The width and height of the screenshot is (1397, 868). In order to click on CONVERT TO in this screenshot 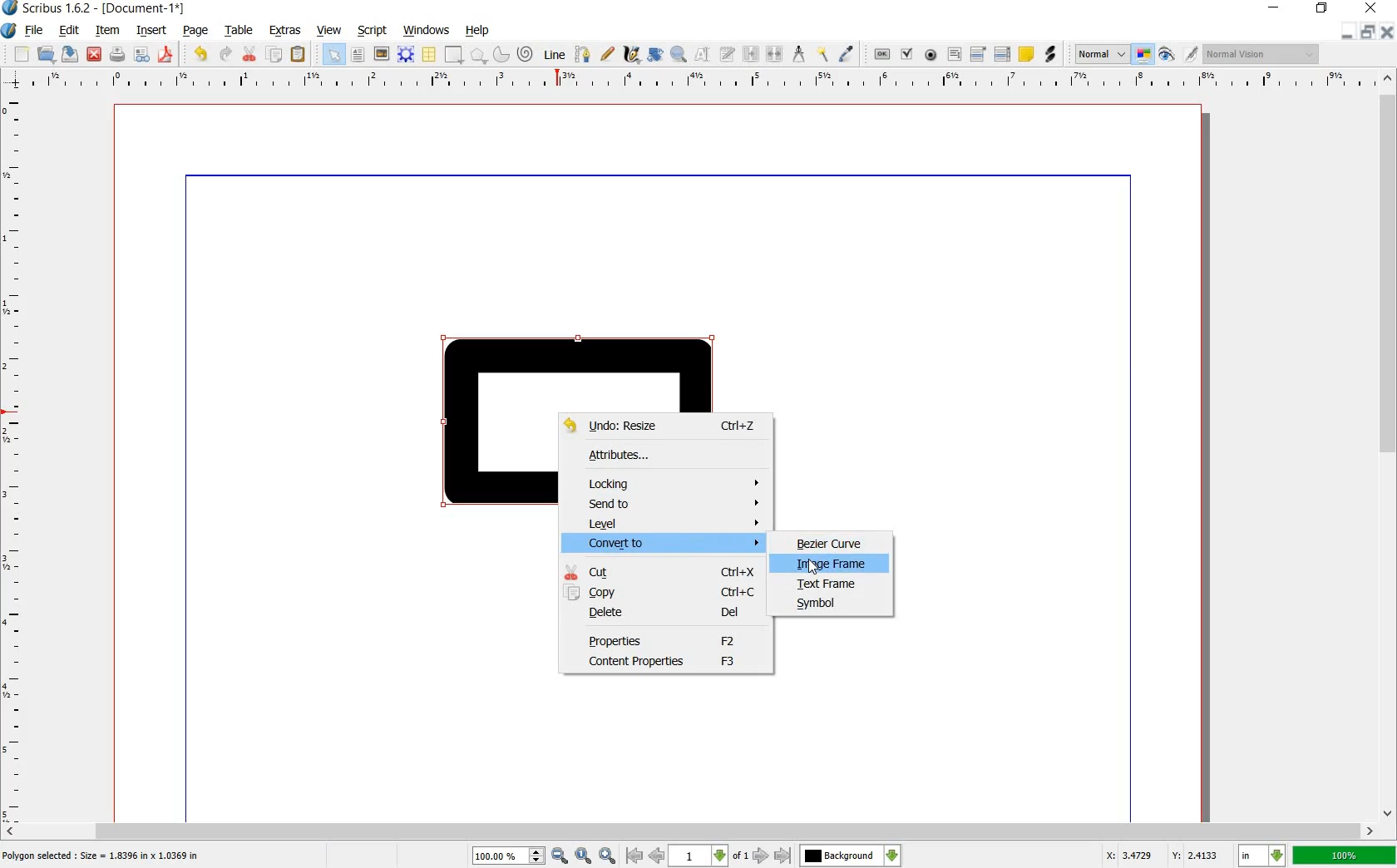, I will do `click(673, 544)`.